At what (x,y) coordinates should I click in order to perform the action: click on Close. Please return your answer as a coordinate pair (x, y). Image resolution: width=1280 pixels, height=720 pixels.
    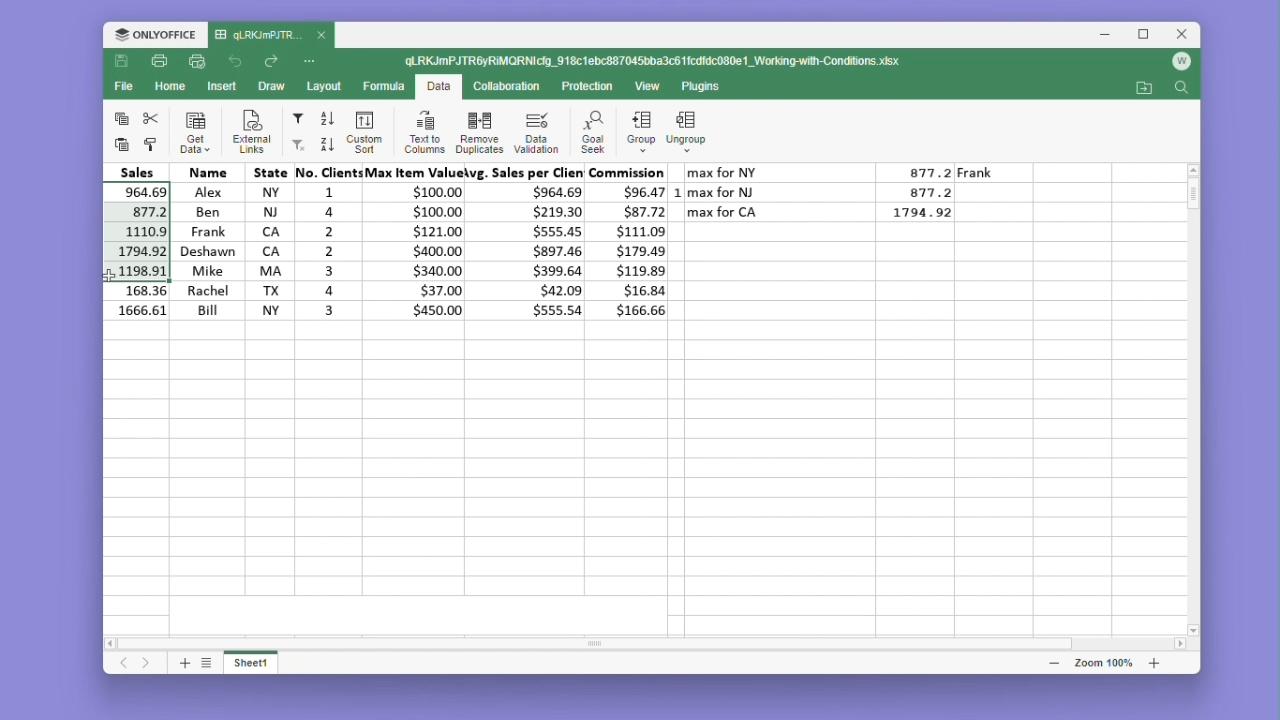
    Looking at the image, I should click on (1184, 35).